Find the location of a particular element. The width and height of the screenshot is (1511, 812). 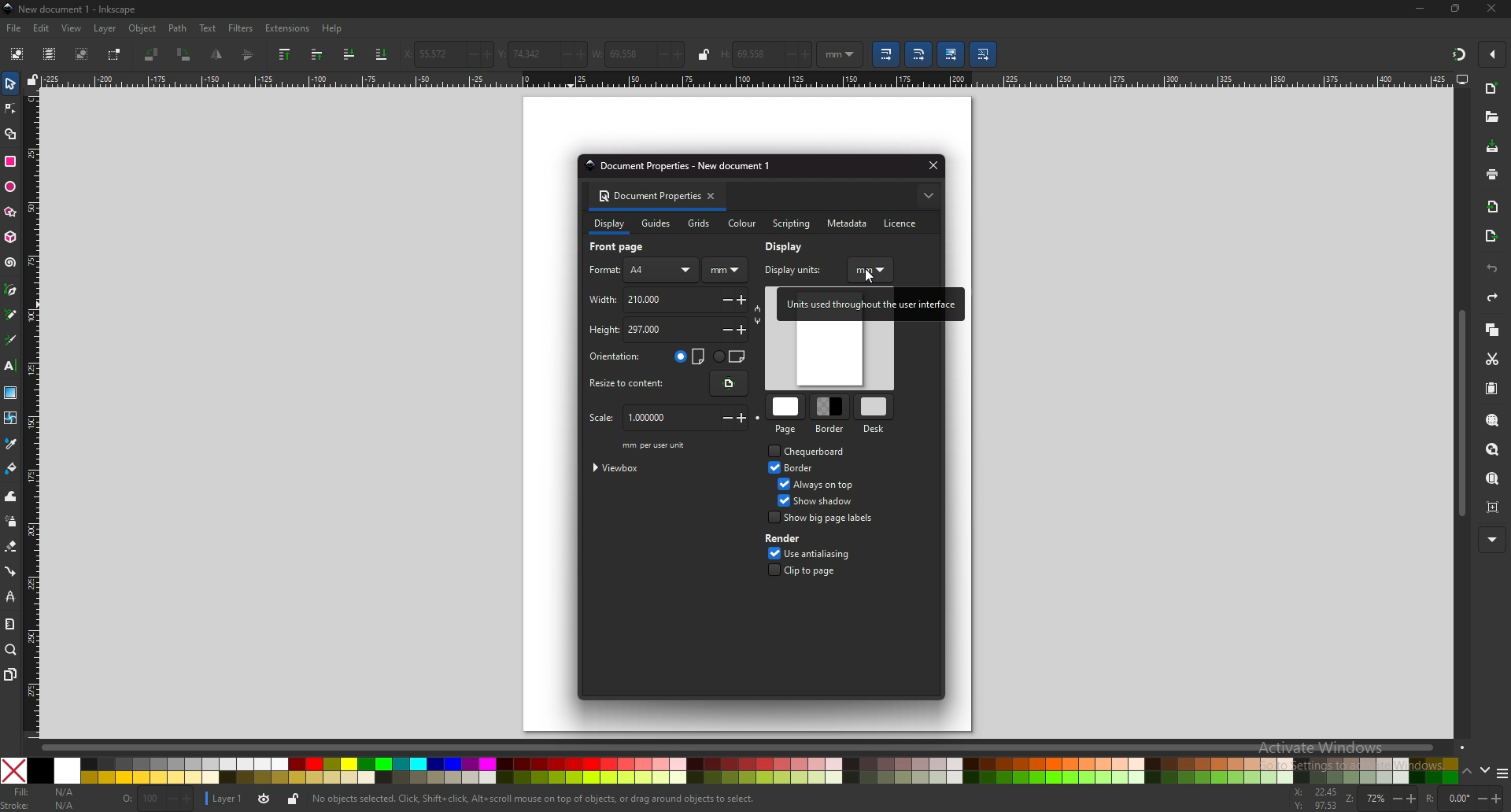

horizontal coordinate is located at coordinates (425, 55).